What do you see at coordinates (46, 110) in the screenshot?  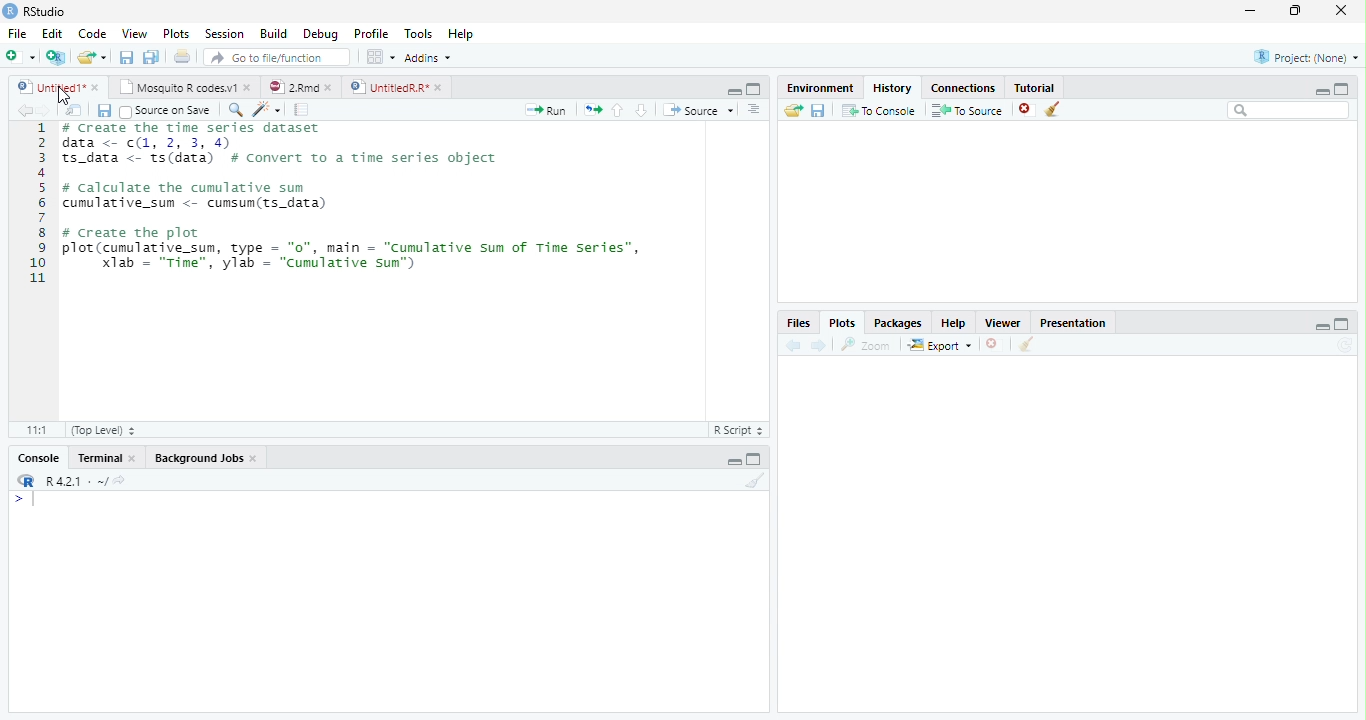 I see `Next` at bounding box center [46, 110].